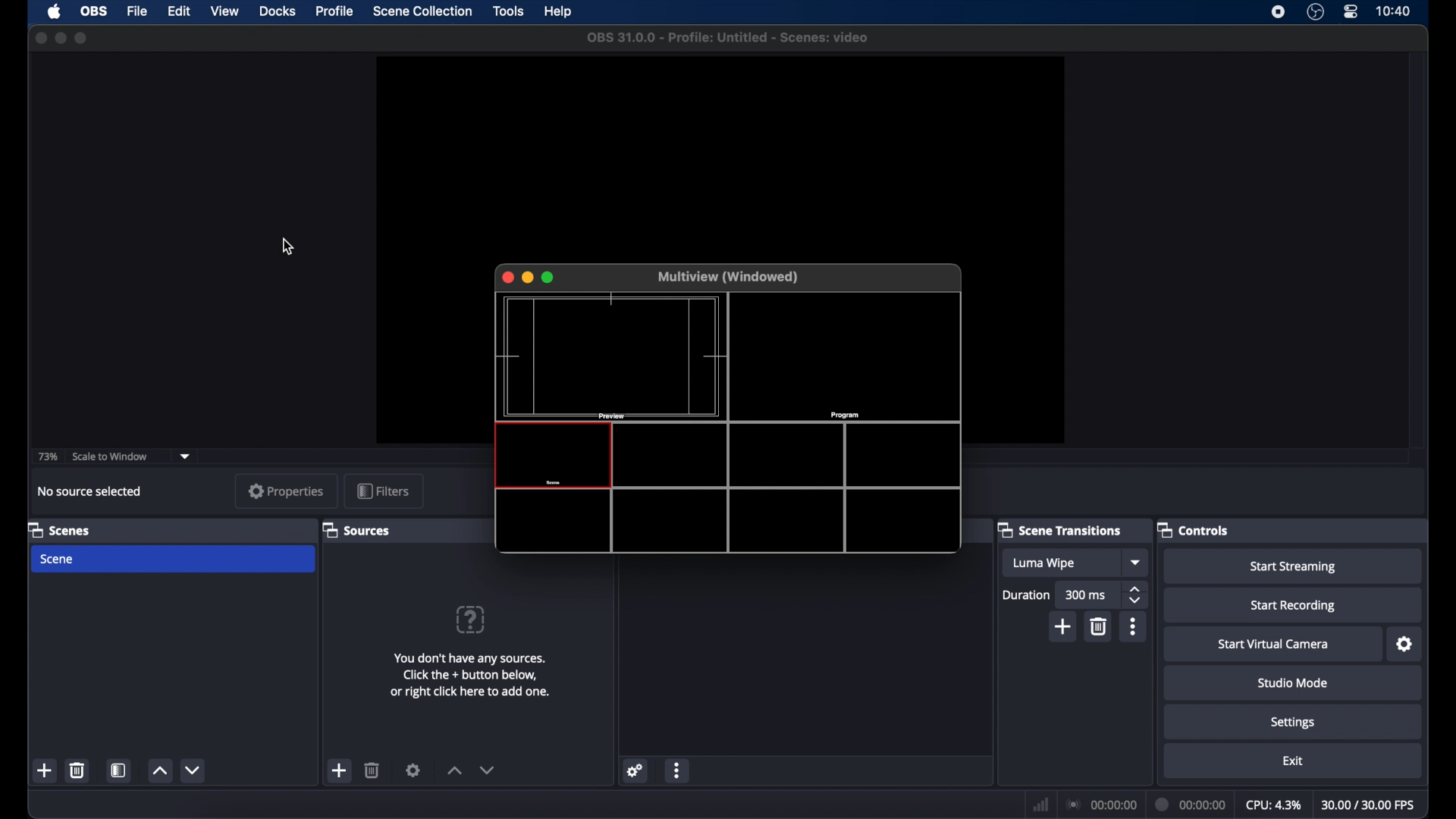  Describe the element at coordinates (1405, 645) in the screenshot. I see `settings` at that location.